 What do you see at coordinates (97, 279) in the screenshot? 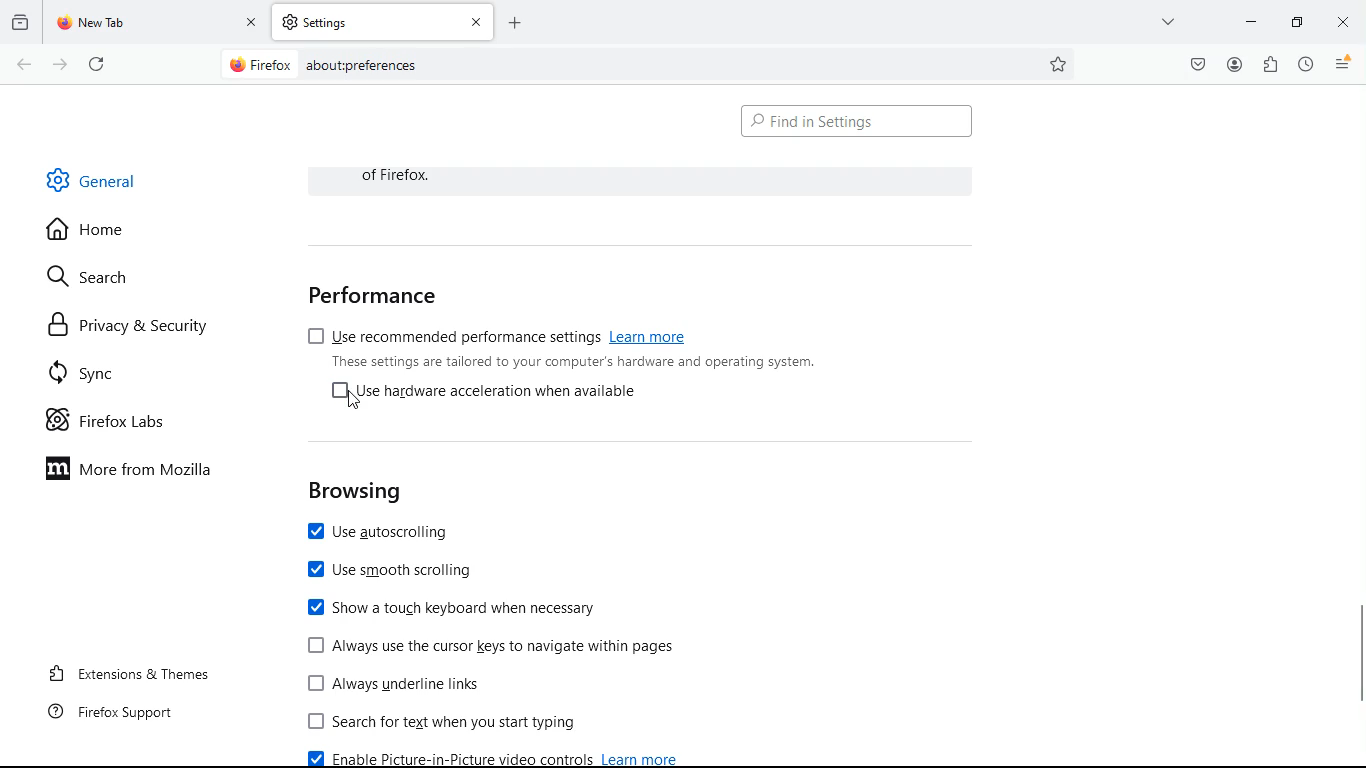
I see `search` at bounding box center [97, 279].